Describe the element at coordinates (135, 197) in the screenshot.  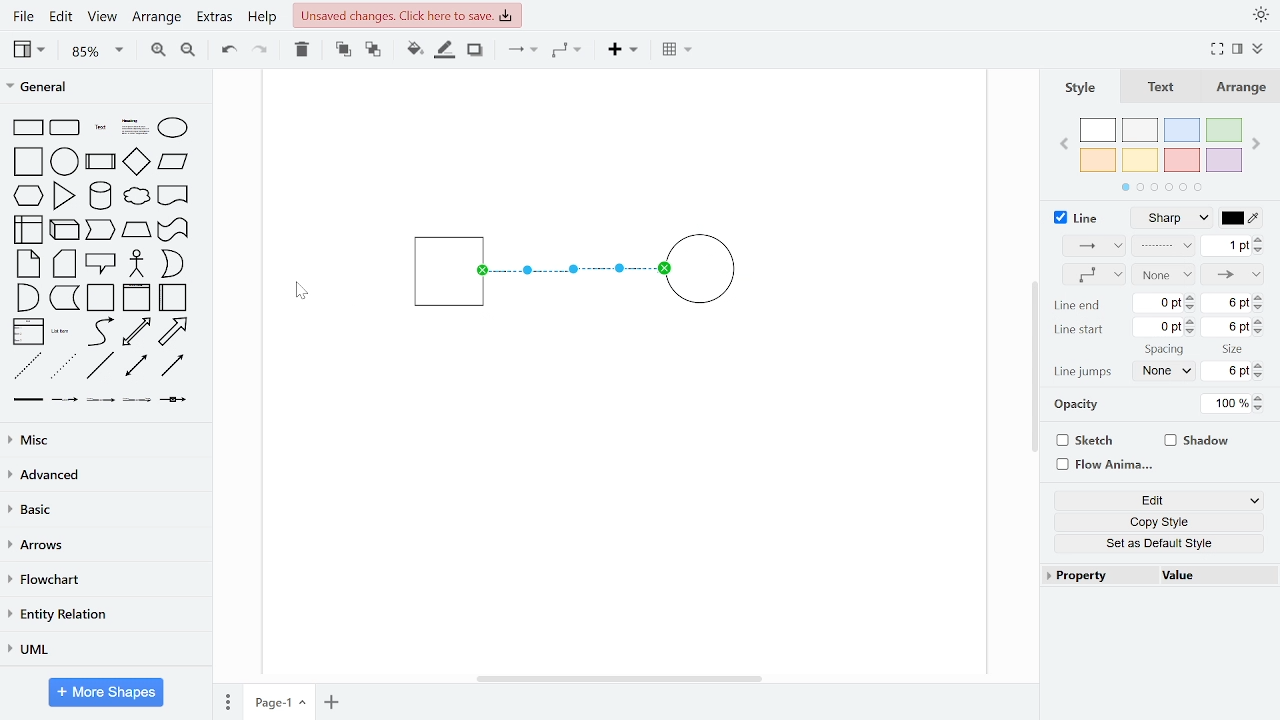
I see `cloud` at that location.